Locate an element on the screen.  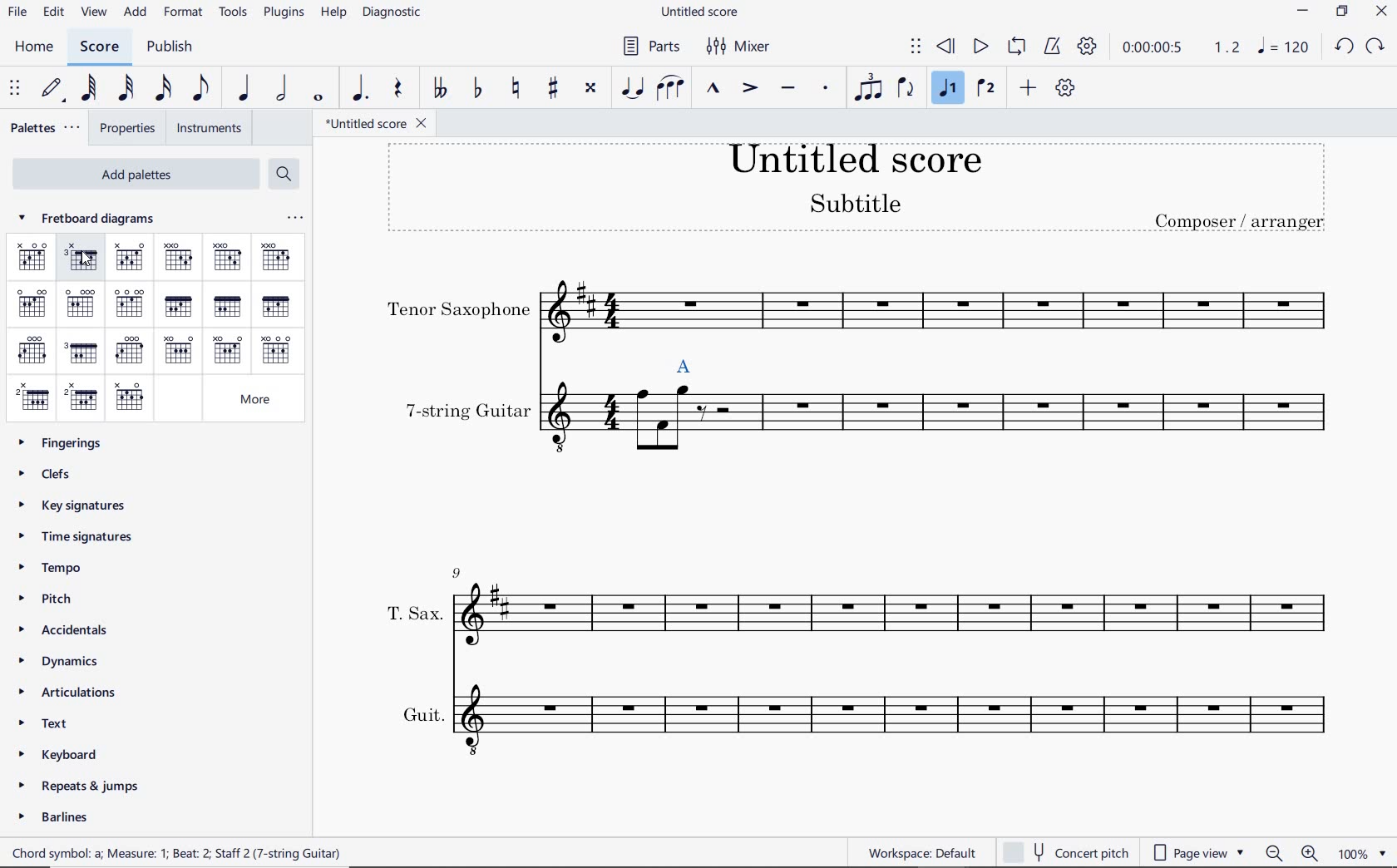
F7 is located at coordinates (277, 308).